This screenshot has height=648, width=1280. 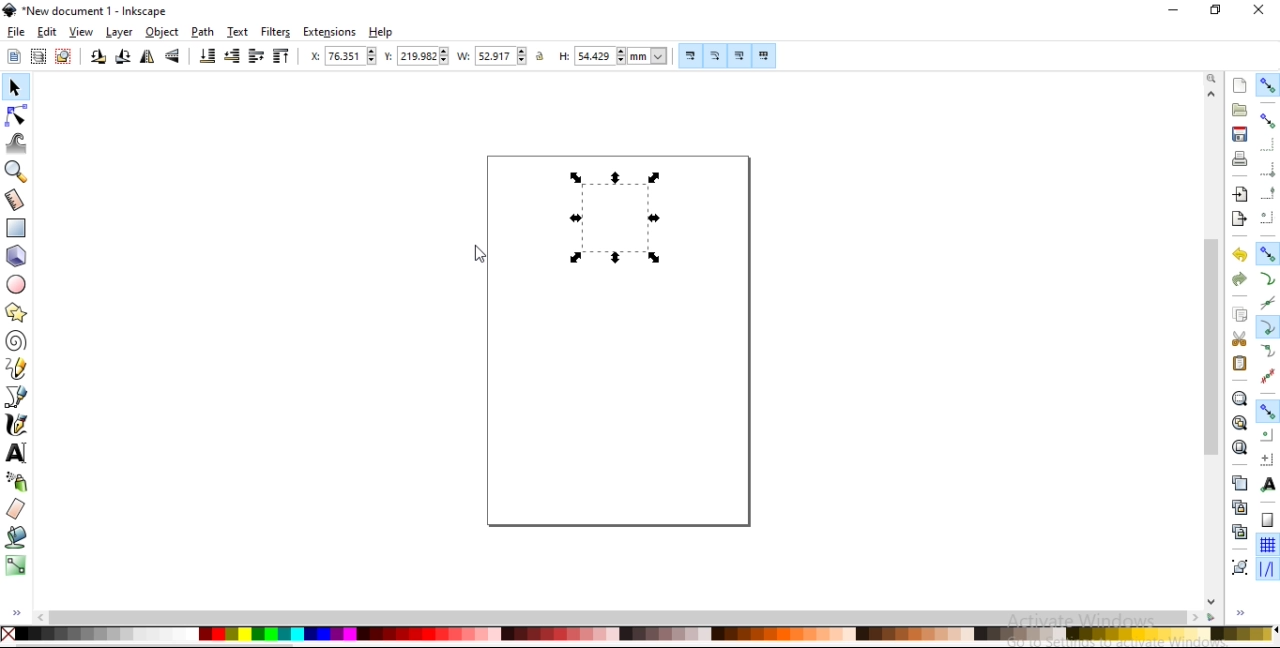 What do you see at coordinates (614, 214) in the screenshot?
I see `image` at bounding box center [614, 214].